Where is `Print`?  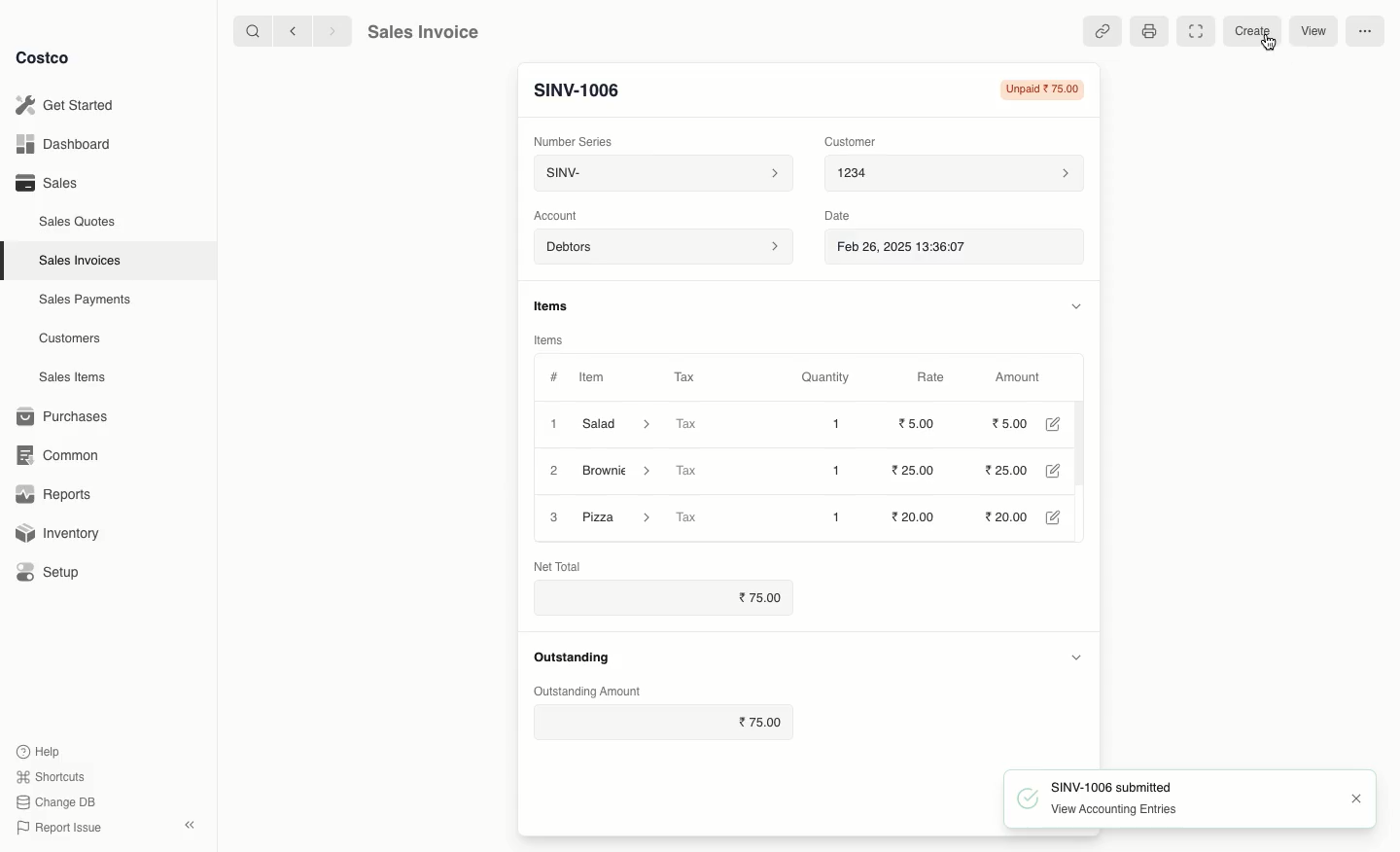
Print is located at coordinates (1149, 32).